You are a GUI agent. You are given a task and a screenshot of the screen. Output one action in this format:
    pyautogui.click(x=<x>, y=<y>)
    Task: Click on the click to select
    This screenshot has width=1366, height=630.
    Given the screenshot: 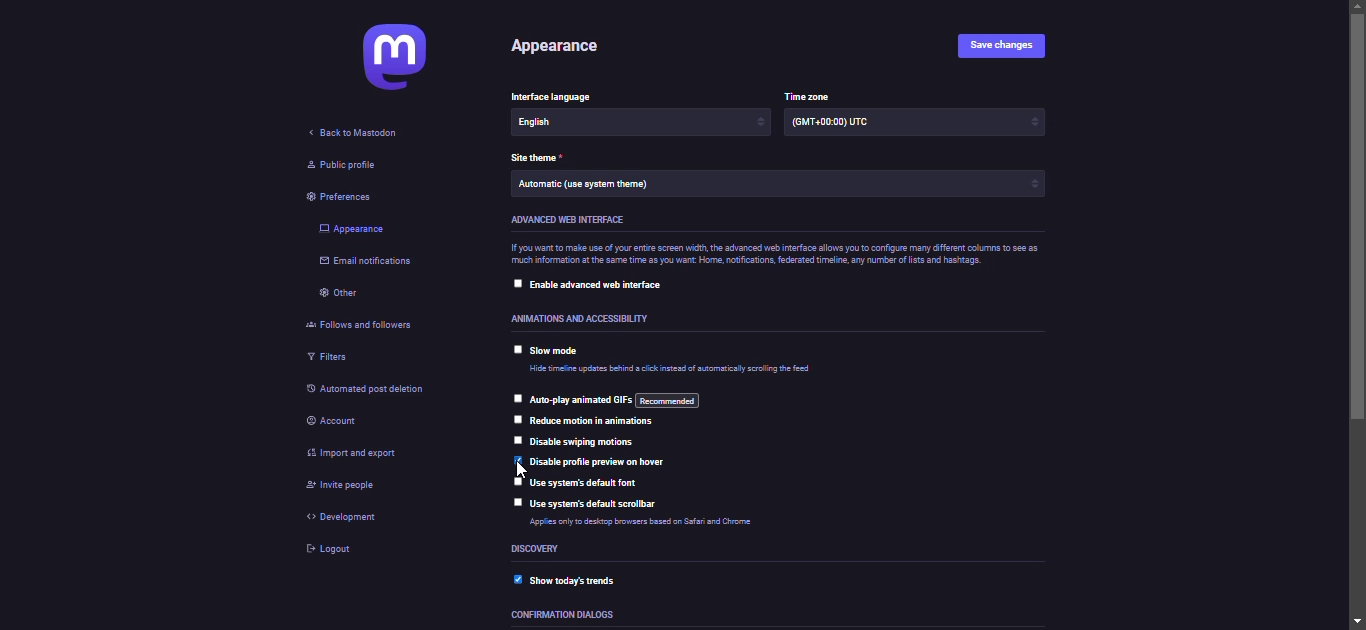 What is the action you would take?
    pyautogui.click(x=518, y=420)
    